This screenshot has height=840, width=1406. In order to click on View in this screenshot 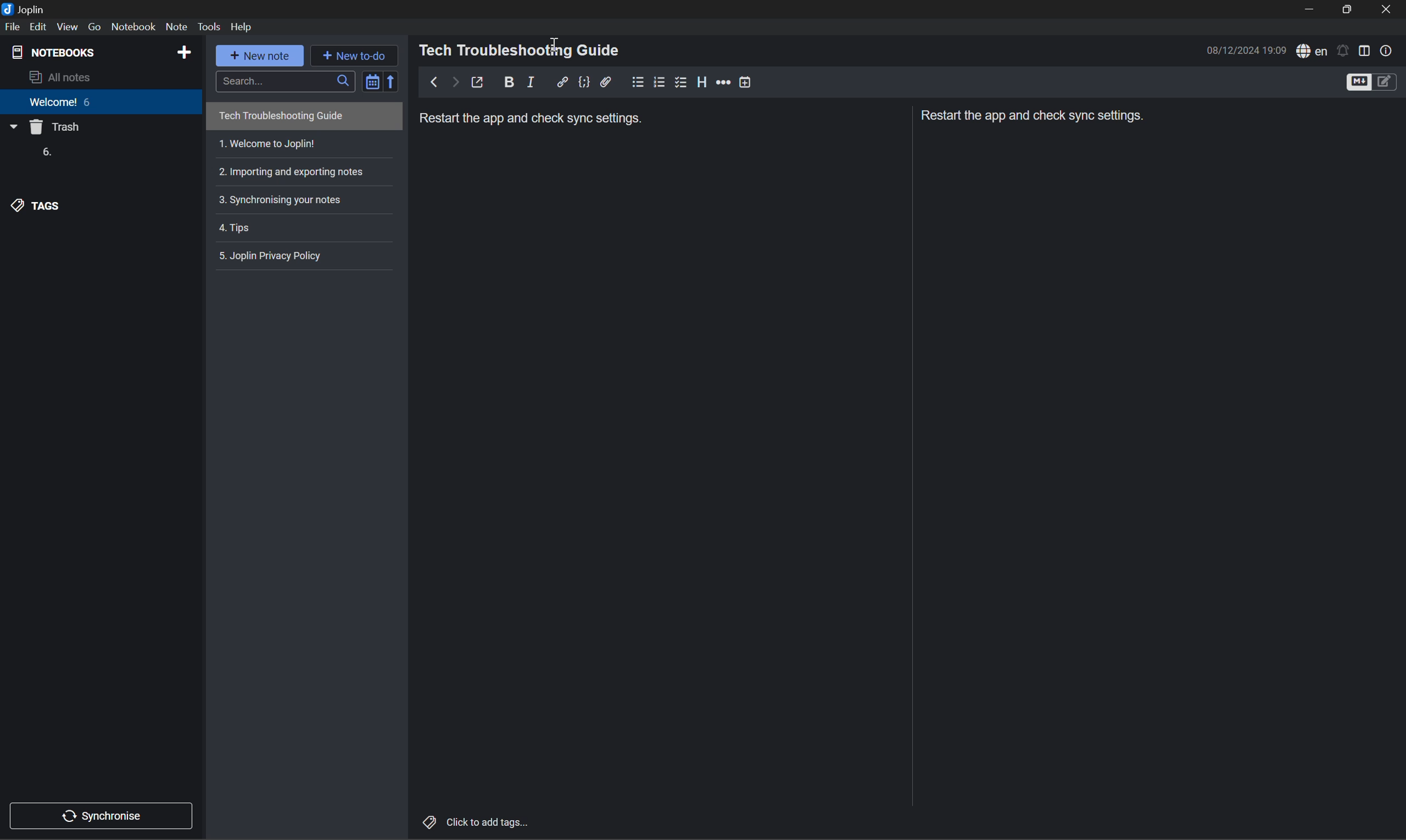, I will do `click(69, 26)`.